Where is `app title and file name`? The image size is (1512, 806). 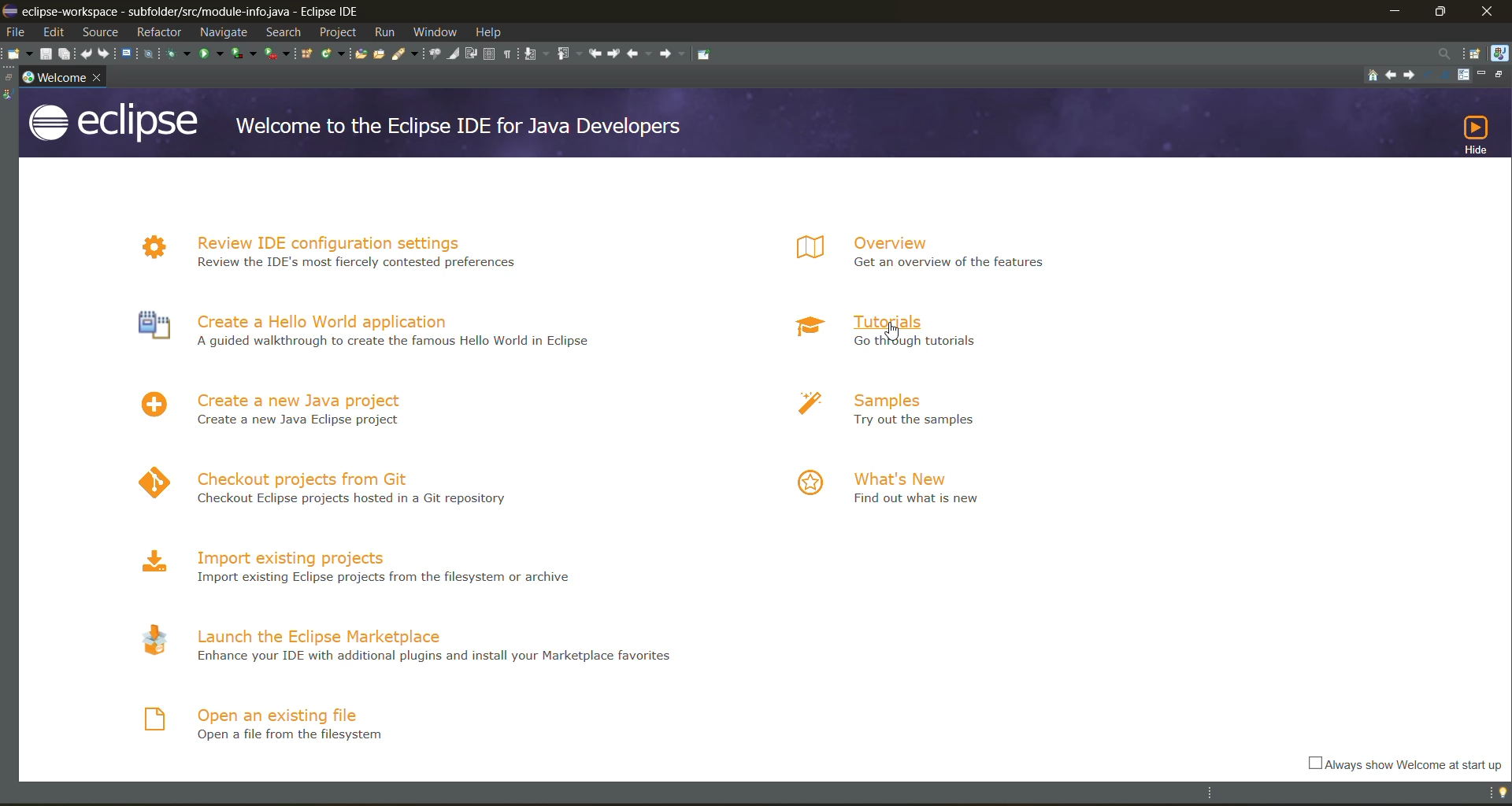
app title and file name is located at coordinates (223, 12).